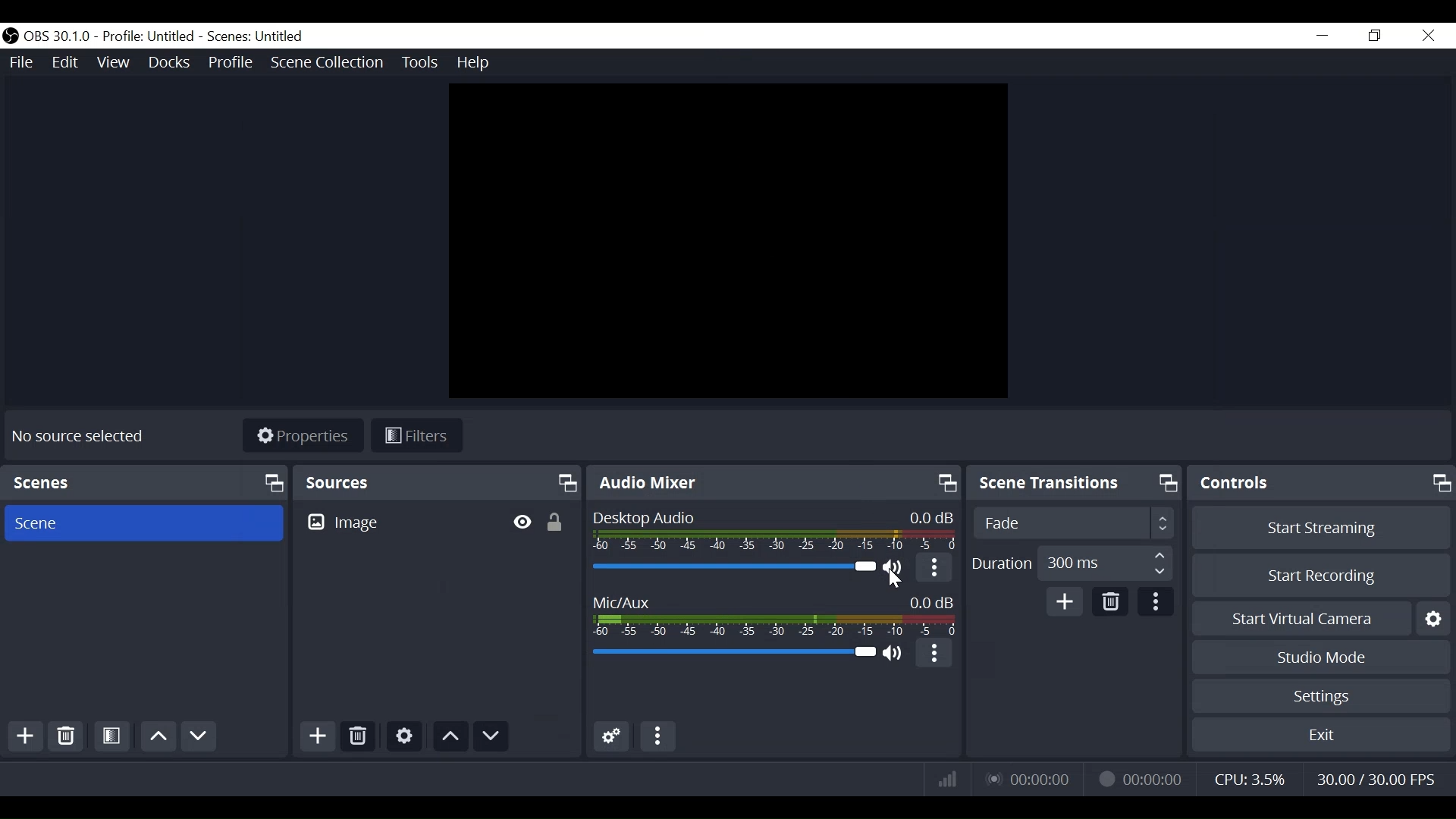 The image size is (1456, 819). What do you see at coordinates (329, 63) in the screenshot?
I see `Scene Collection` at bounding box center [329, 63].